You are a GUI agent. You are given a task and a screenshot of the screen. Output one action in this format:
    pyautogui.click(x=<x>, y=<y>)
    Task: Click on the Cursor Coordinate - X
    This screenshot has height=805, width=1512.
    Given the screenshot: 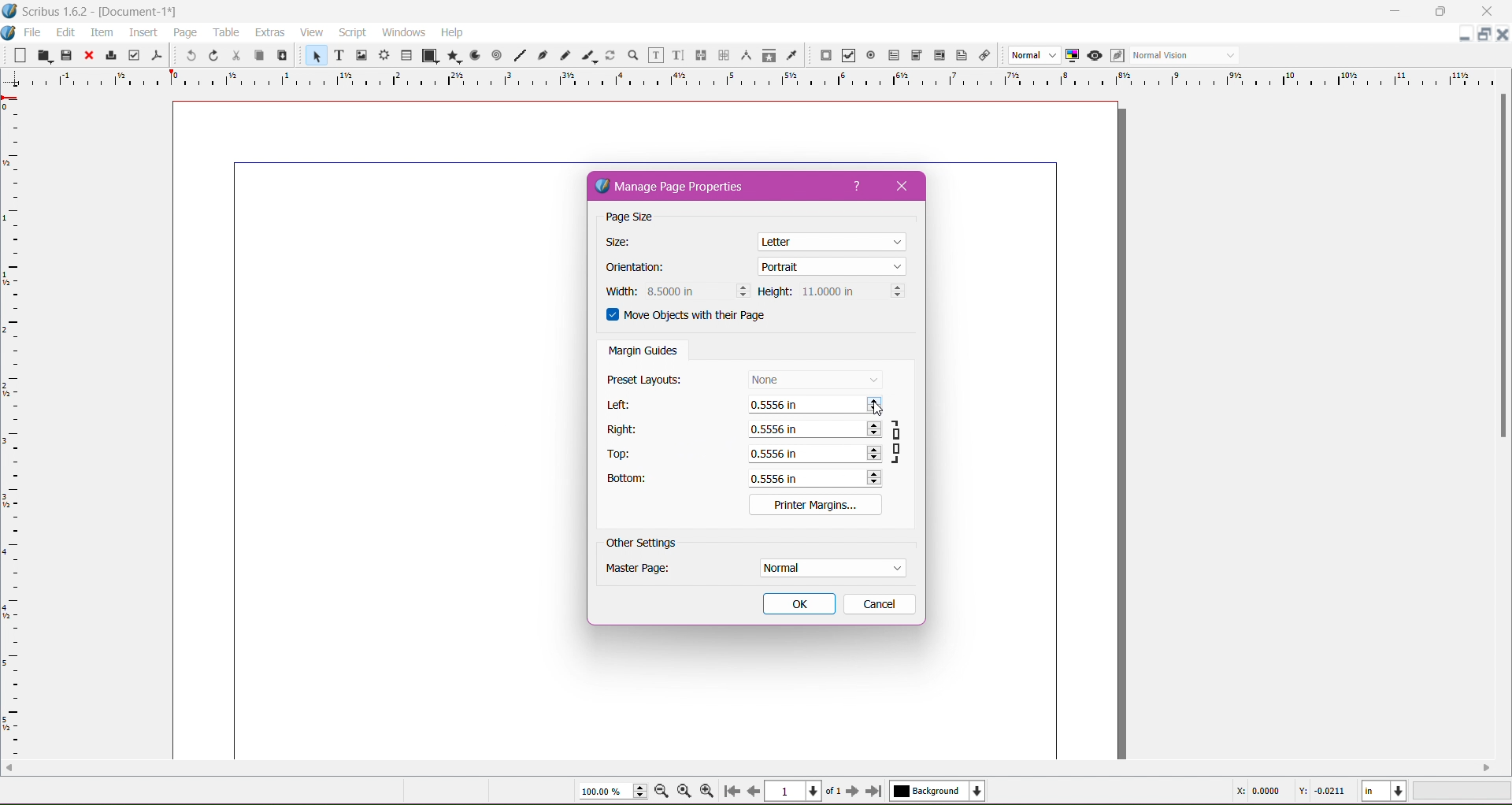 What is the action you would take?
    pyautogui.click(x=1255, y=791)
    